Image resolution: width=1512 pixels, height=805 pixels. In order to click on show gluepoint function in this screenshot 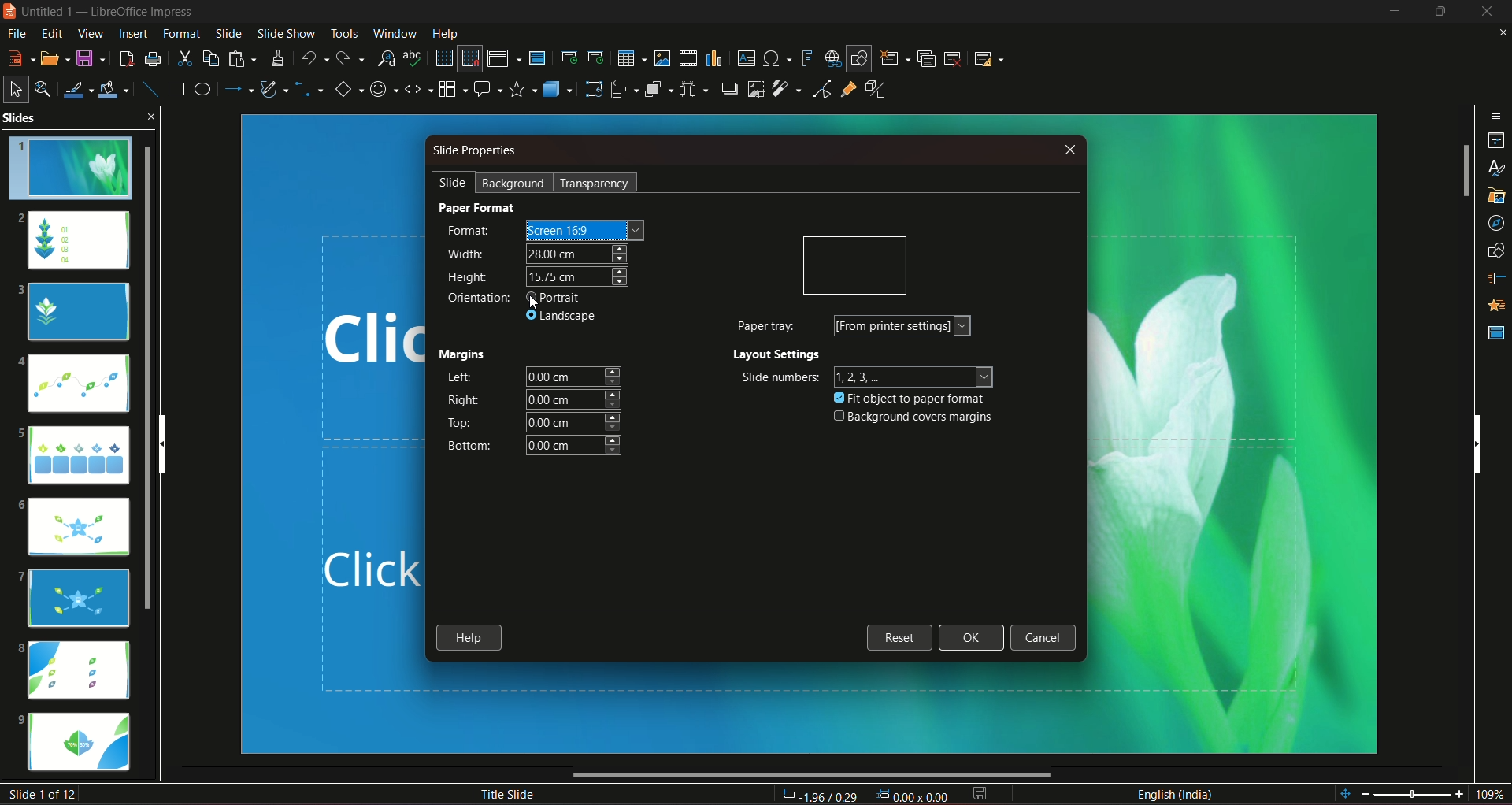, I will do `click(848, 91)`.